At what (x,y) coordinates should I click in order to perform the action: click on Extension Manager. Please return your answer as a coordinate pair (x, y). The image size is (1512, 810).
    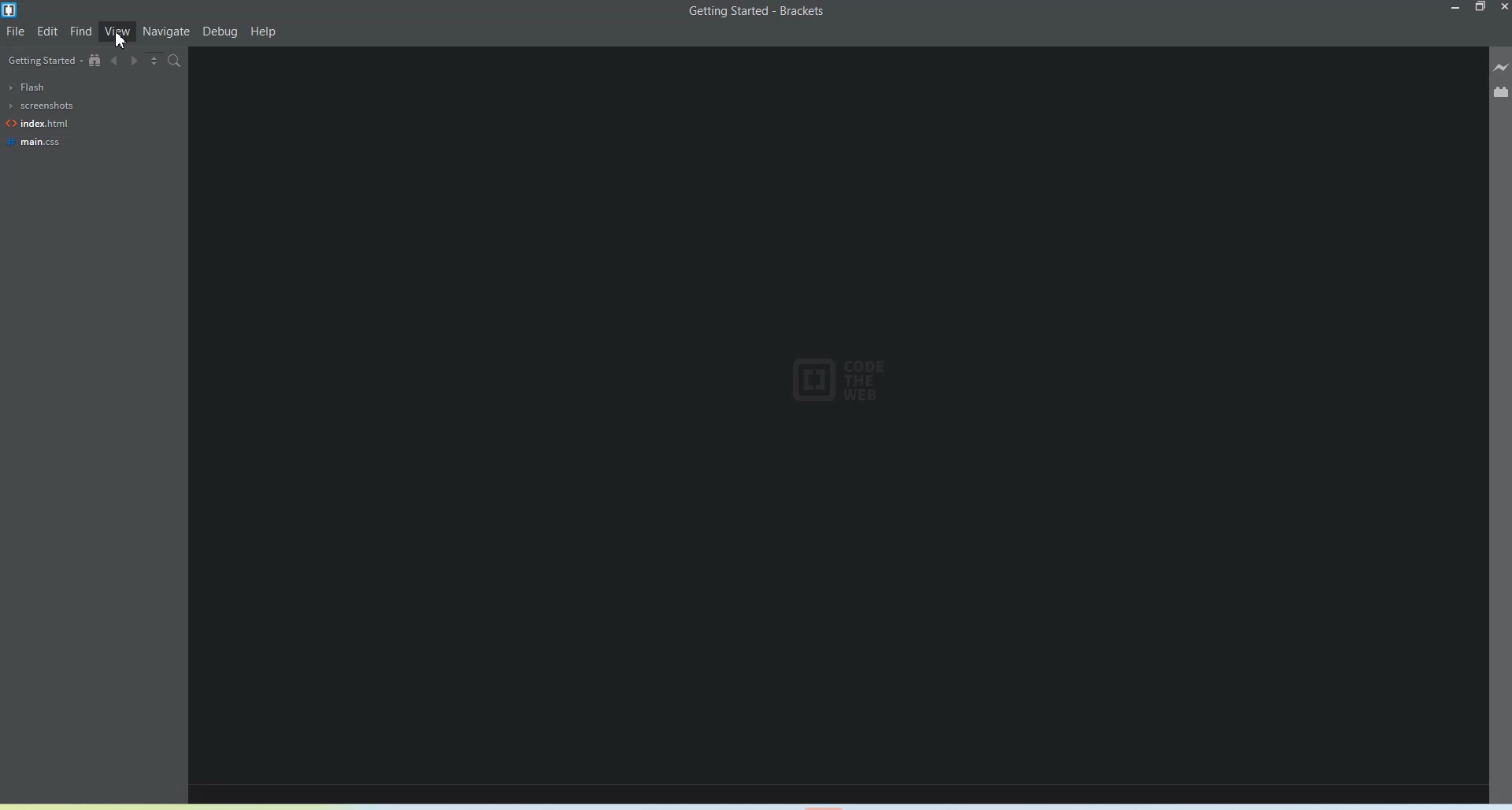
    Looking at the image, I should click on (1501, 91).